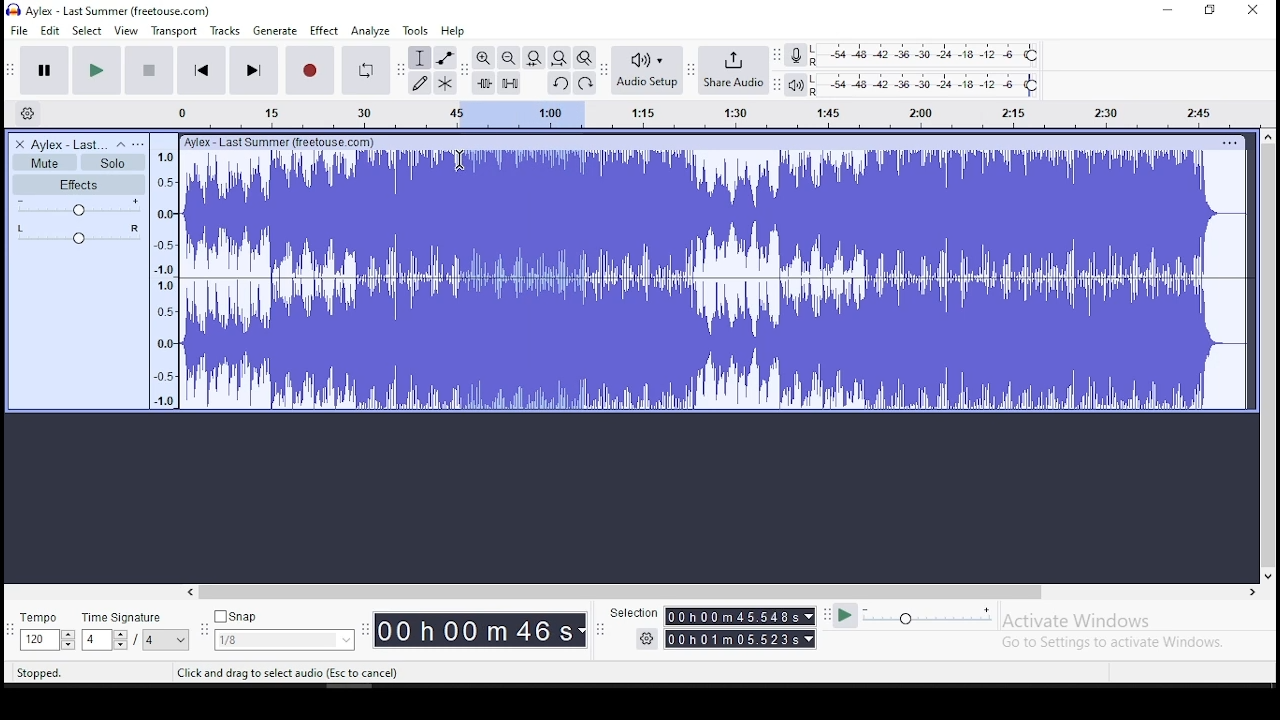 Image resolution: width=1280 pixels, height=720 pixels. What do you see at coordinates (136, 633) in the screenshot?
I see `time signature` at bounding box center [136, 633].